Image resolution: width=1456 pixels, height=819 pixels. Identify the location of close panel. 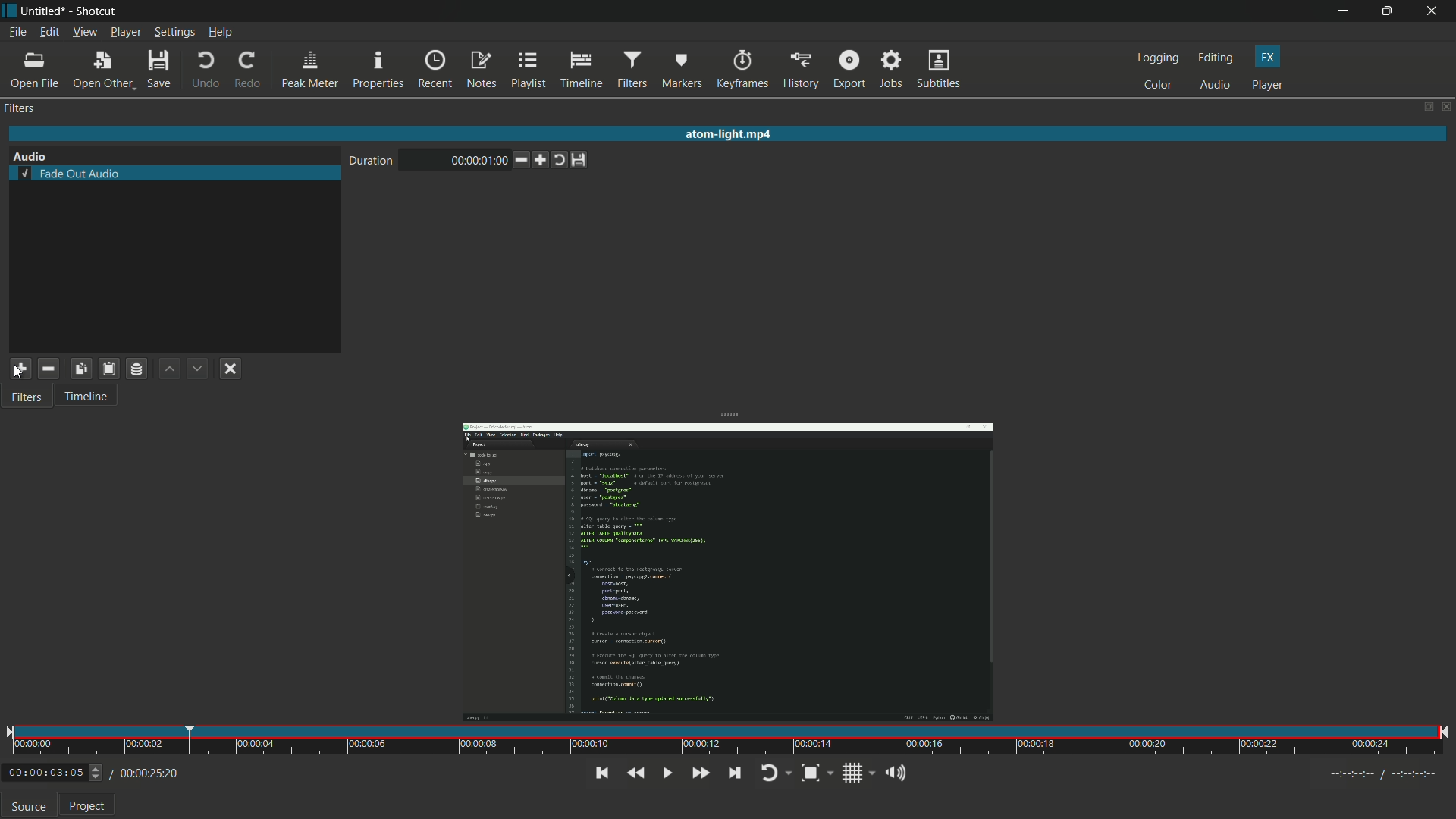
(1447, 108).